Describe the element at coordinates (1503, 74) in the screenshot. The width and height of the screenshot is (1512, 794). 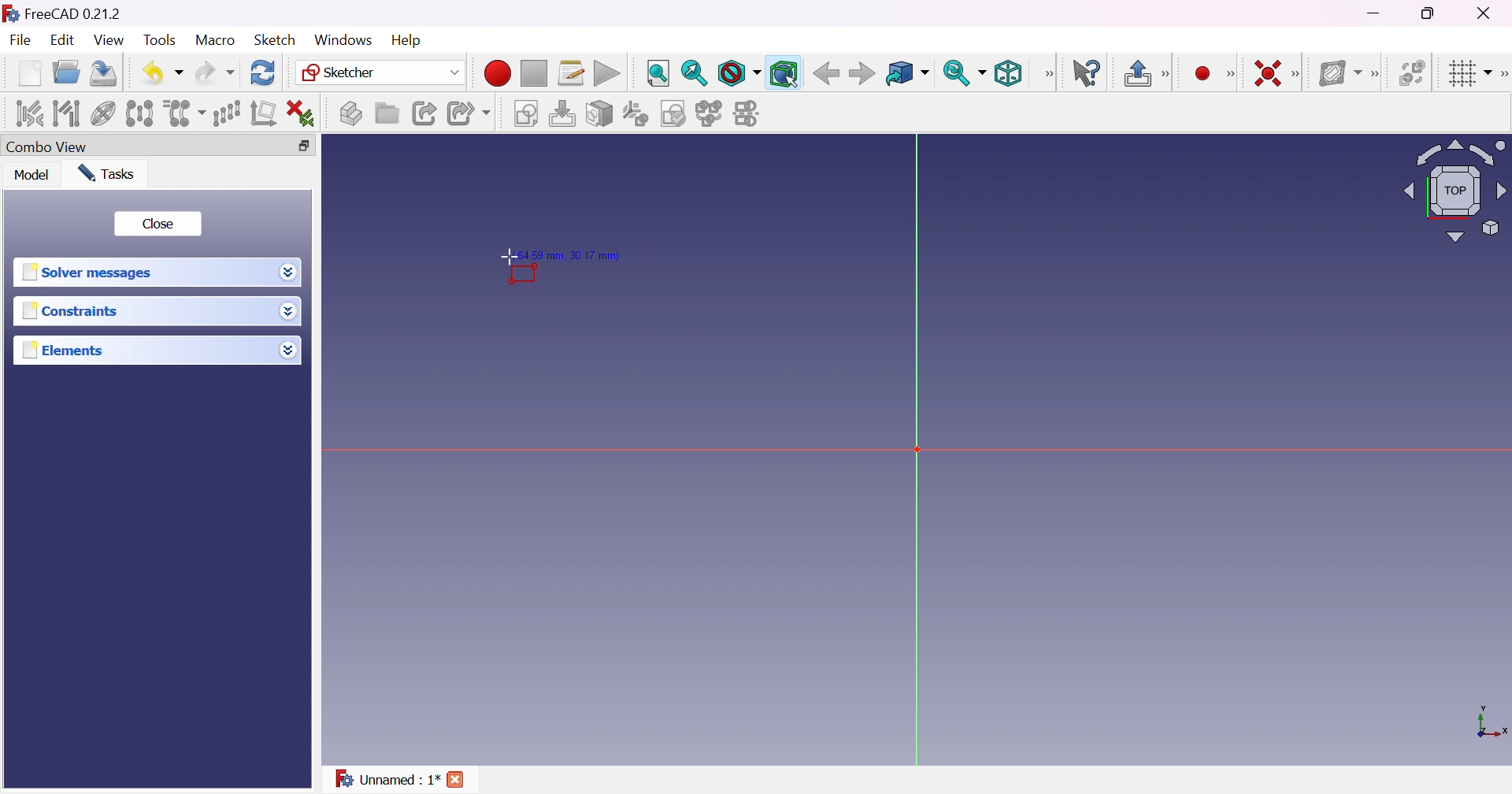
I see `[Sketcher edit tools]` at that location.